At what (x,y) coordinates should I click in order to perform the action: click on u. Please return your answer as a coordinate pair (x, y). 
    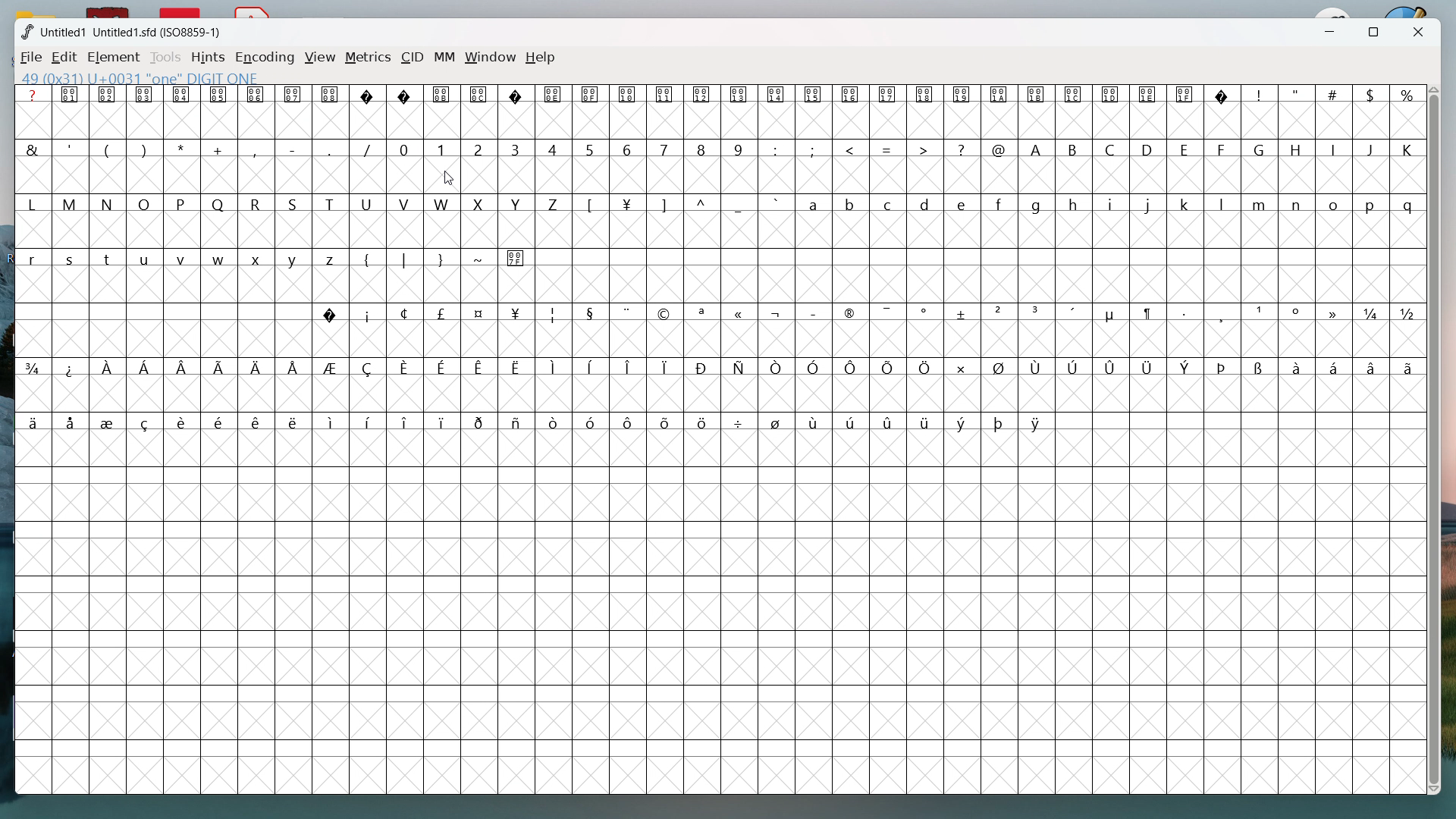
    Looking at the image, I should click on (146, 257).